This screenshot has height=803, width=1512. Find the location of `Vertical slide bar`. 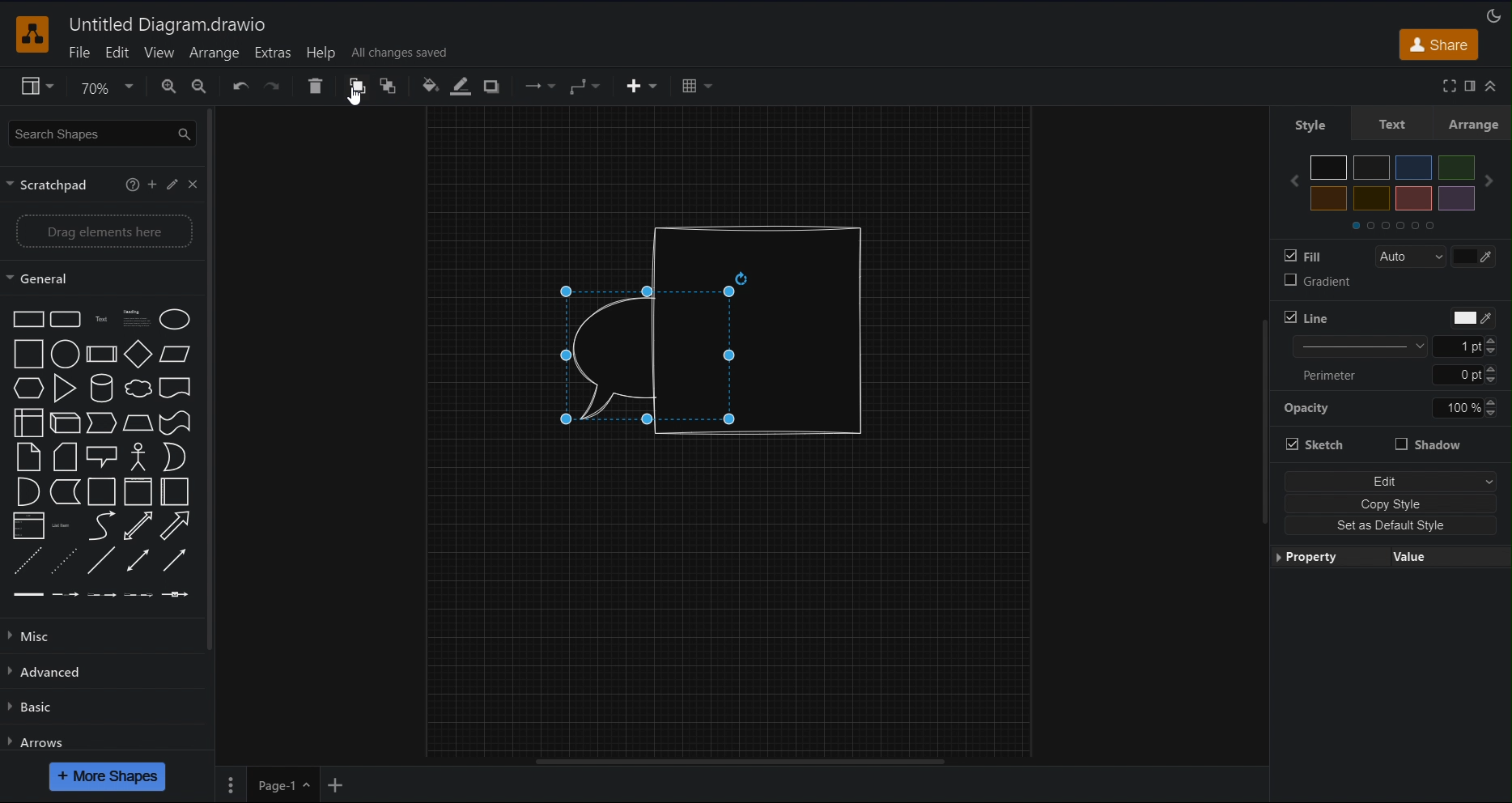

Vertical slide bar is located at coordinates (1264, 423).